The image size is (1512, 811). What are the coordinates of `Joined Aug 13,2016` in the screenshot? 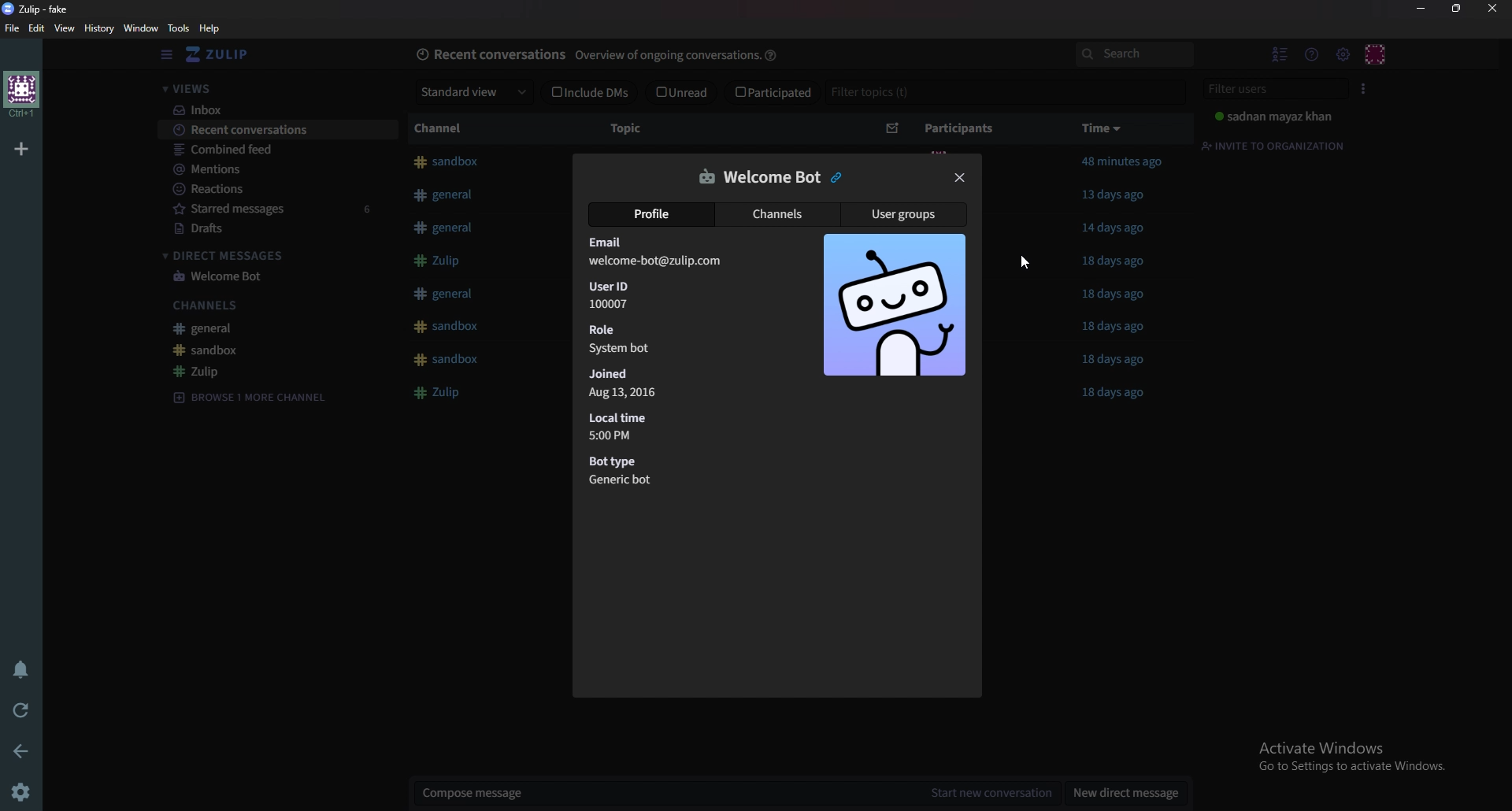 It's located at (631, 383).